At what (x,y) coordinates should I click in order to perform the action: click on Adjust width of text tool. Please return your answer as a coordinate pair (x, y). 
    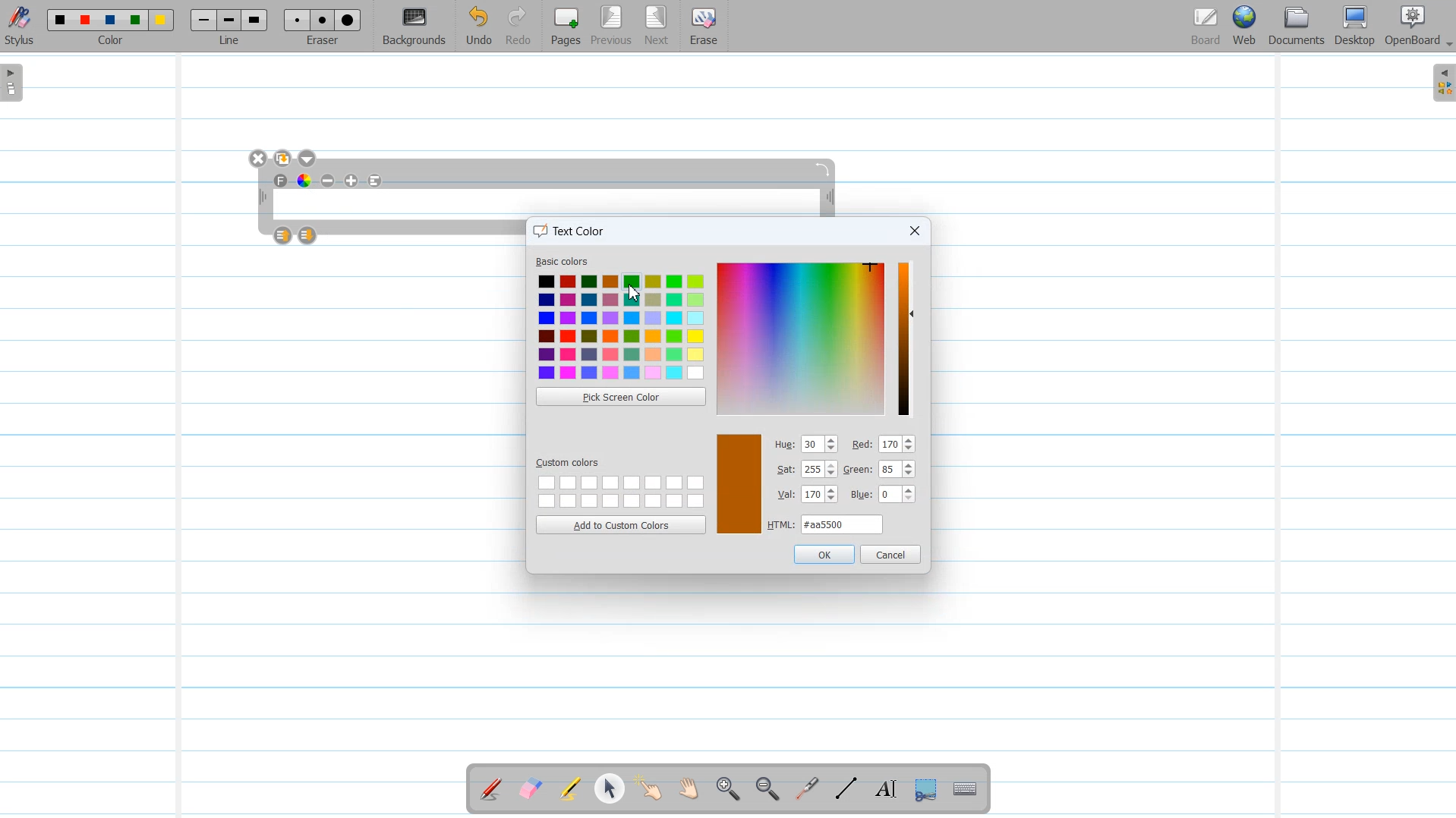
    Looking at the image, I should click on (830, 199).